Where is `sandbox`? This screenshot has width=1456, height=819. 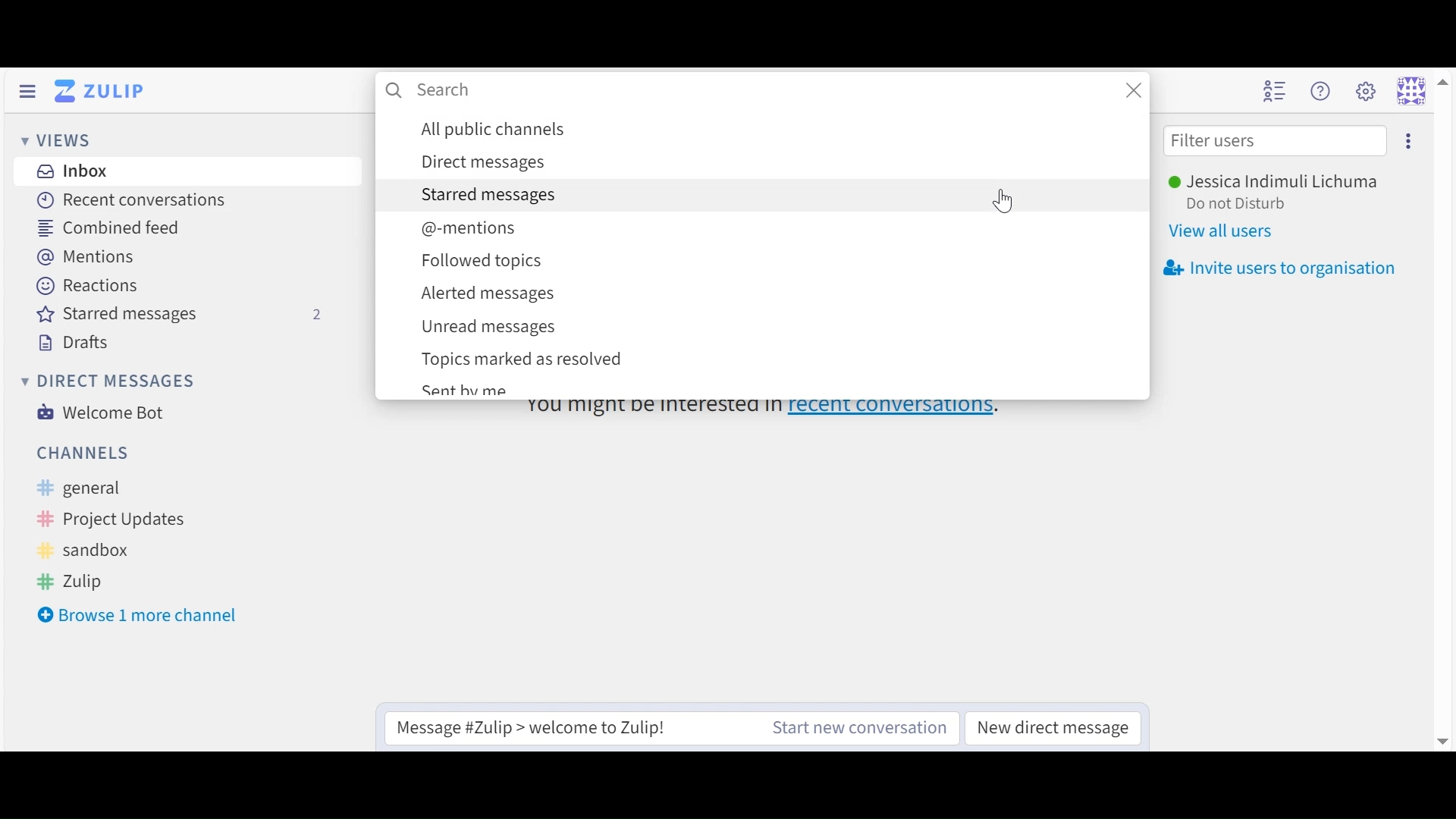 sandbox is located at coordinates (96, 550).